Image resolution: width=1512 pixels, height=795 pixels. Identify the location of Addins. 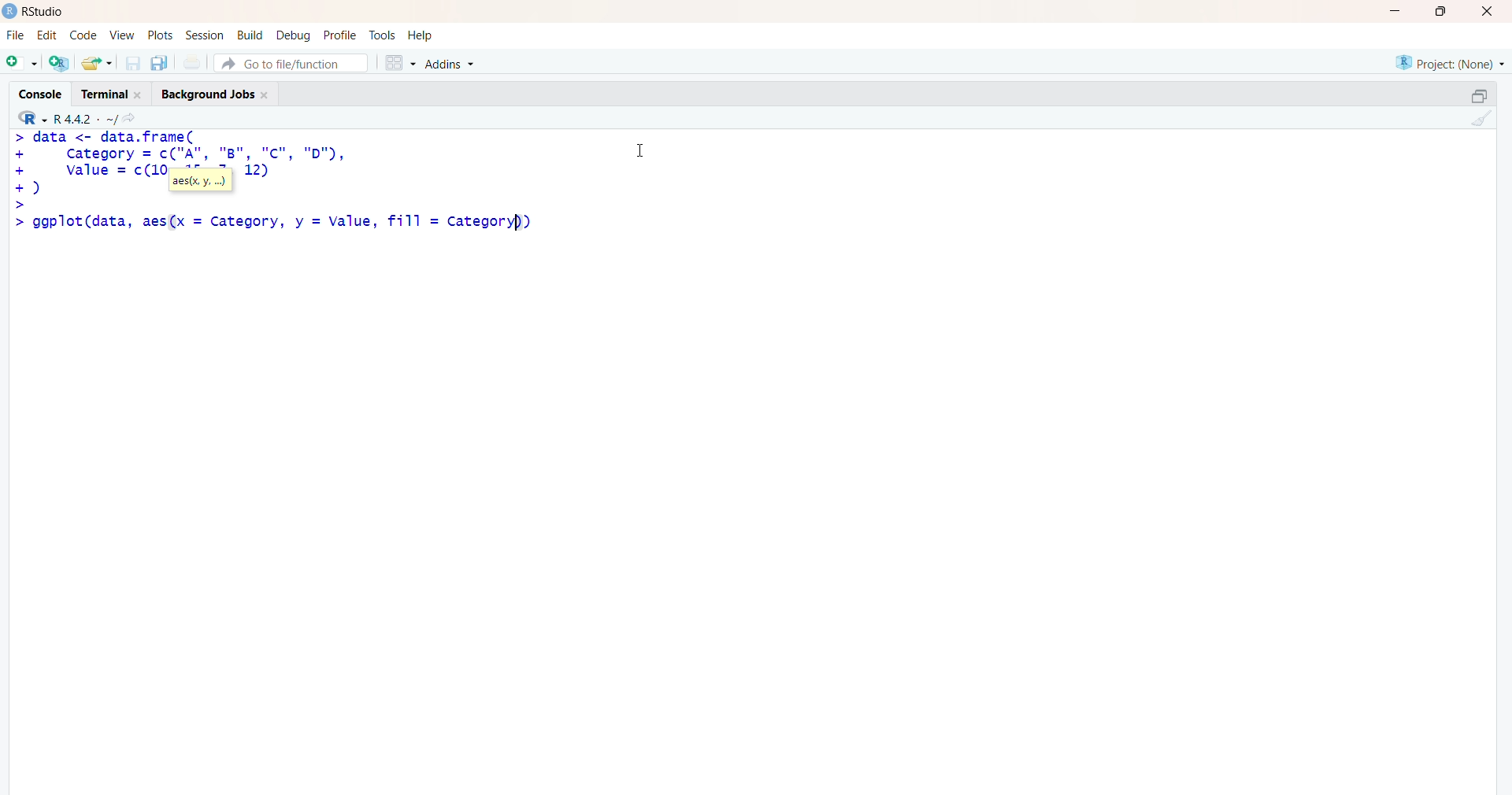
(453, 65).